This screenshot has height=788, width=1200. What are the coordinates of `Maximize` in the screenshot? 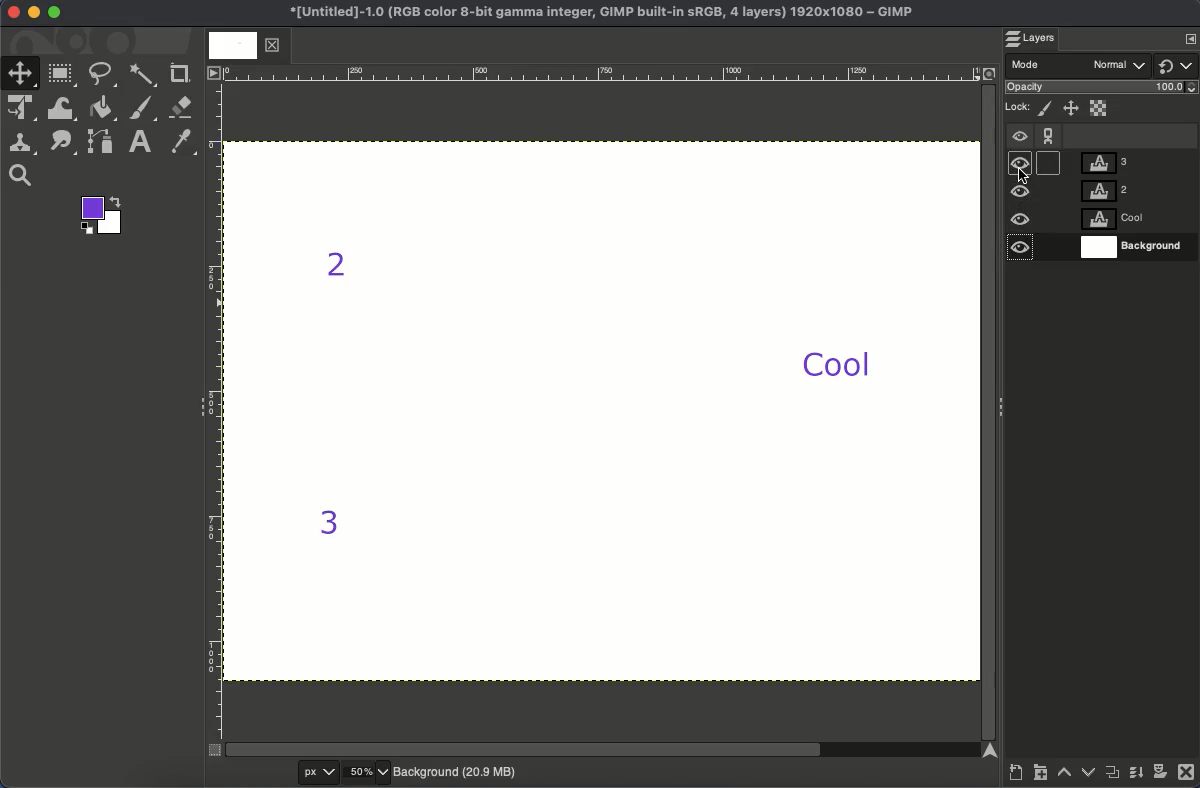 It's located at (55, 15).